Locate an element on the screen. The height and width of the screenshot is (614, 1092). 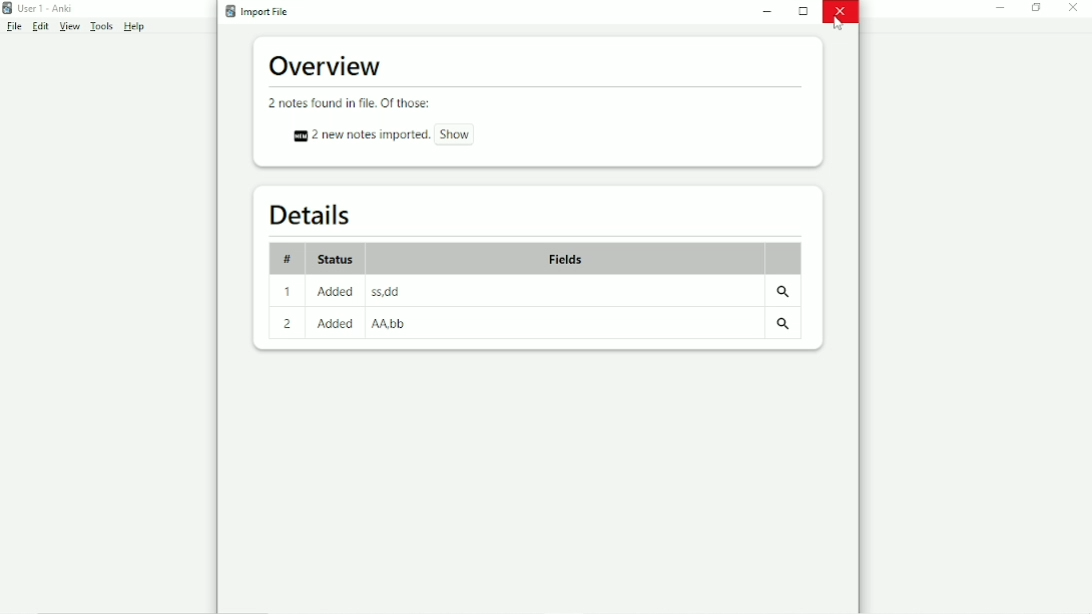
2 new notes imported. is located at coordinates (357, 135).